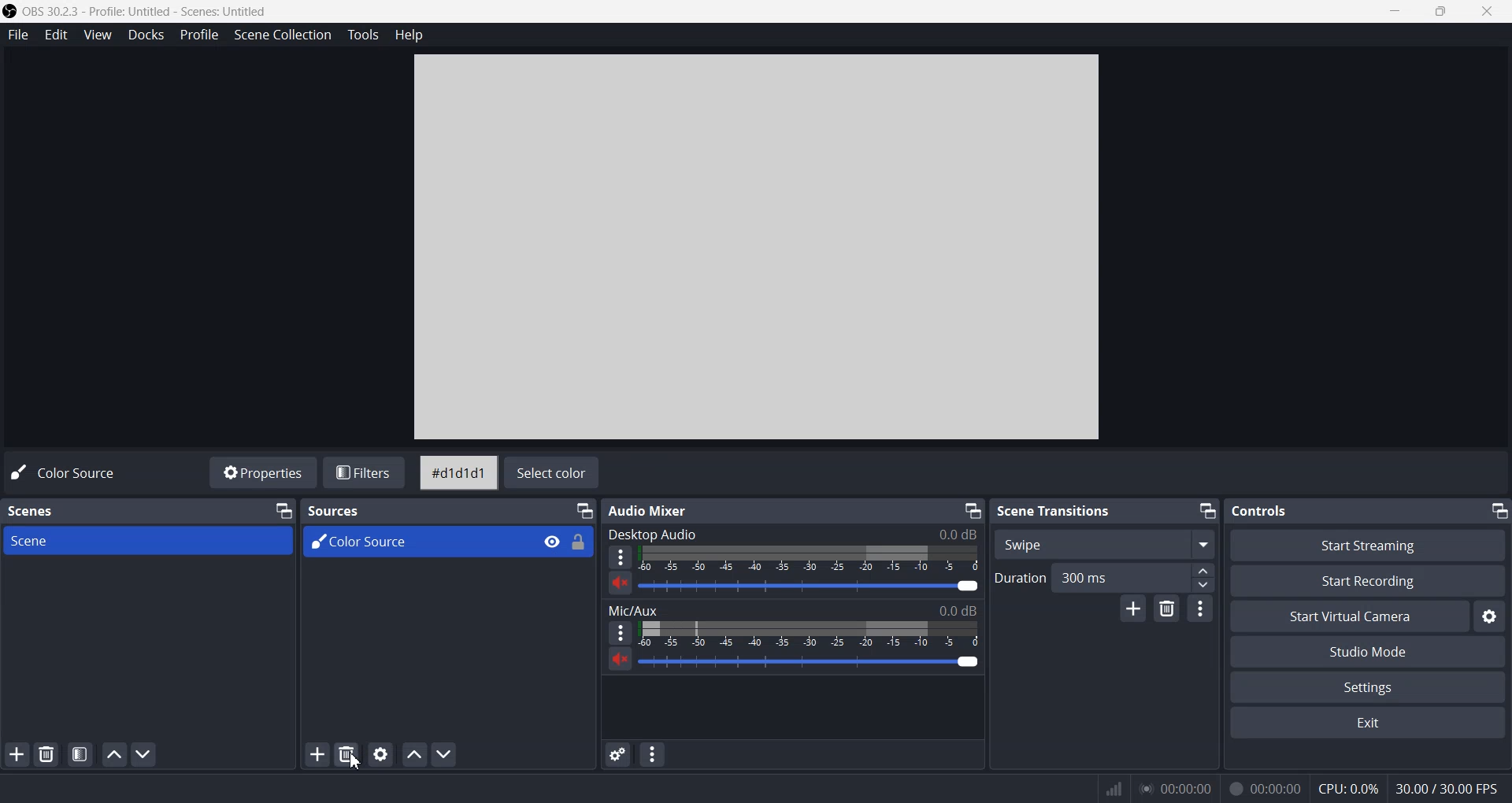 The image size is (1512, 803). I want to click on Volume Adjuster, so click(810, 661).